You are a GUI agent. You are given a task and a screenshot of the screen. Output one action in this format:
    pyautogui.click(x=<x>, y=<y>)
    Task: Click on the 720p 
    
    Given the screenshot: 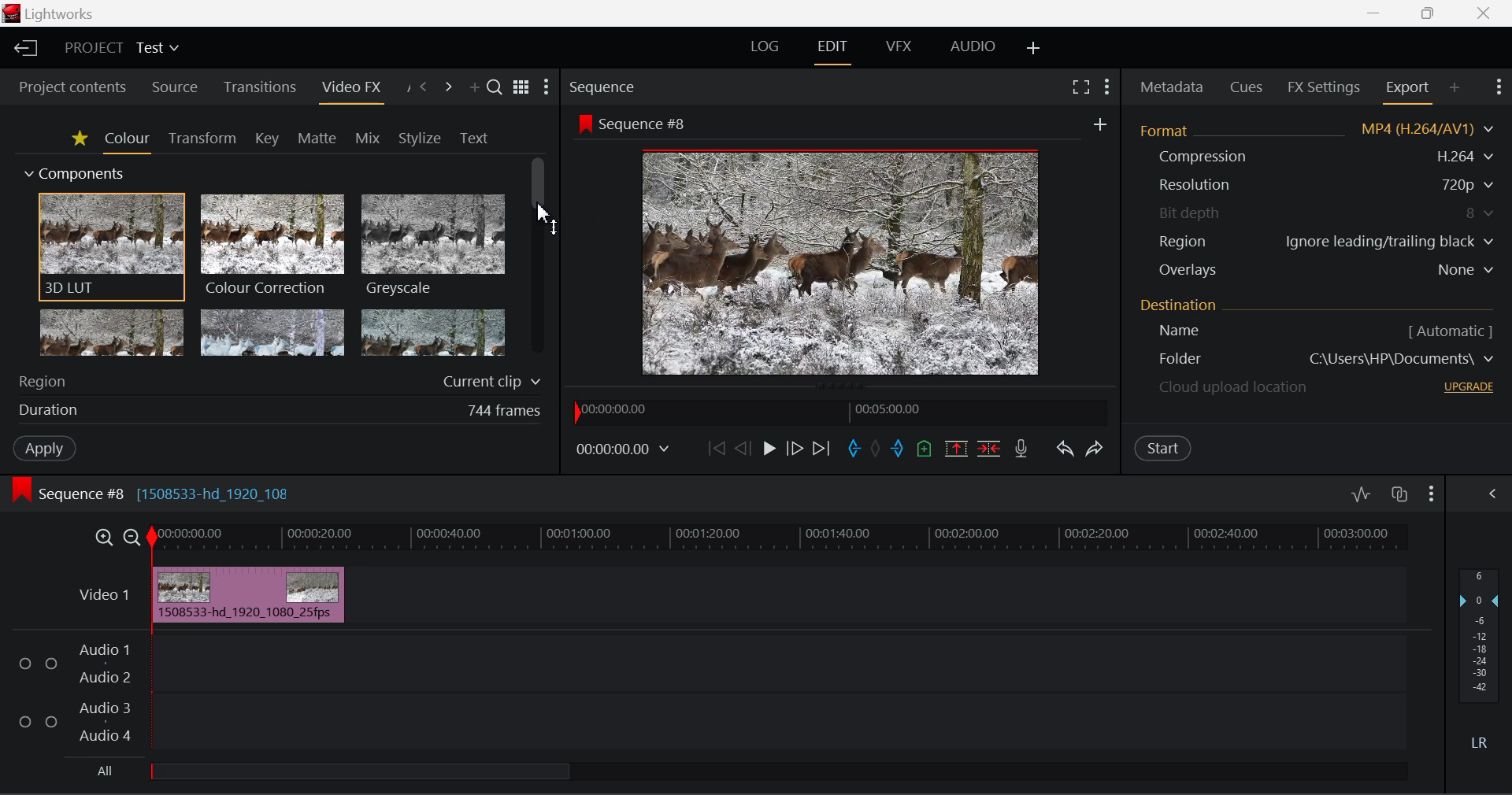 What is the action you would take?
    pyautogui.click(x=1469, y=184)
    